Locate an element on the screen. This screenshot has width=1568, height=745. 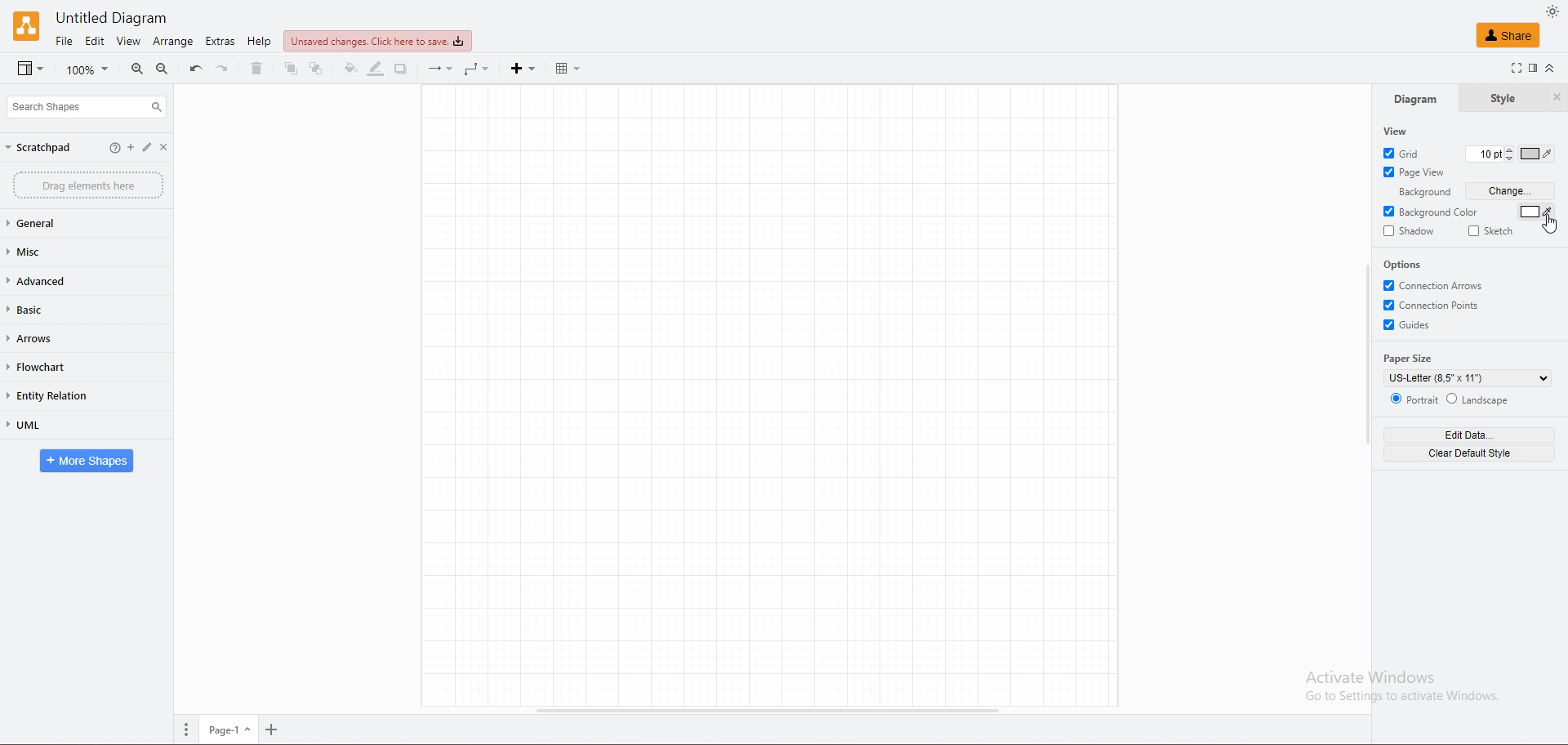
general is located at coordinates (68, 224).